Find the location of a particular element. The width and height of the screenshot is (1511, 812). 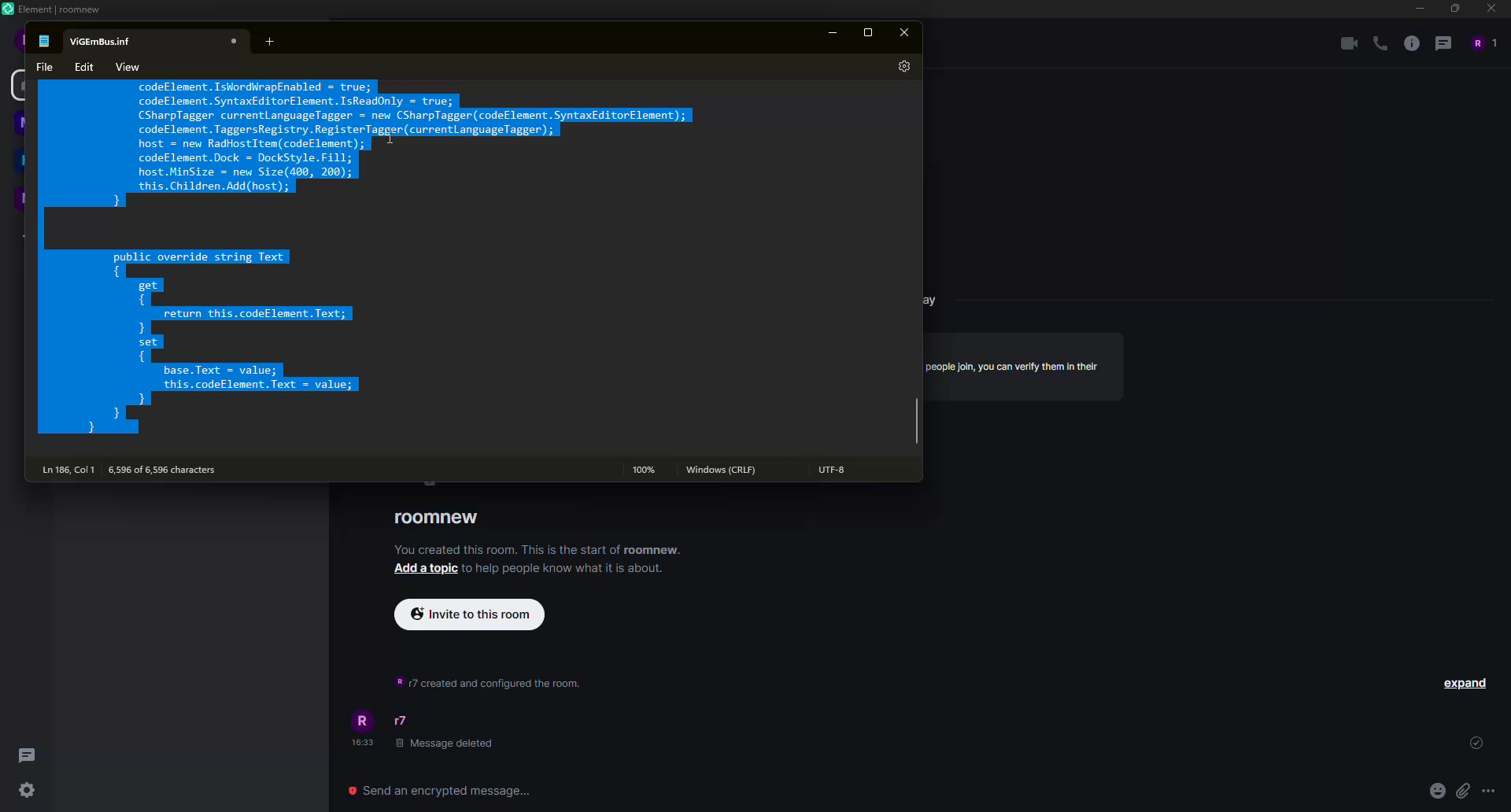

close is located at coordinates (907, 34).